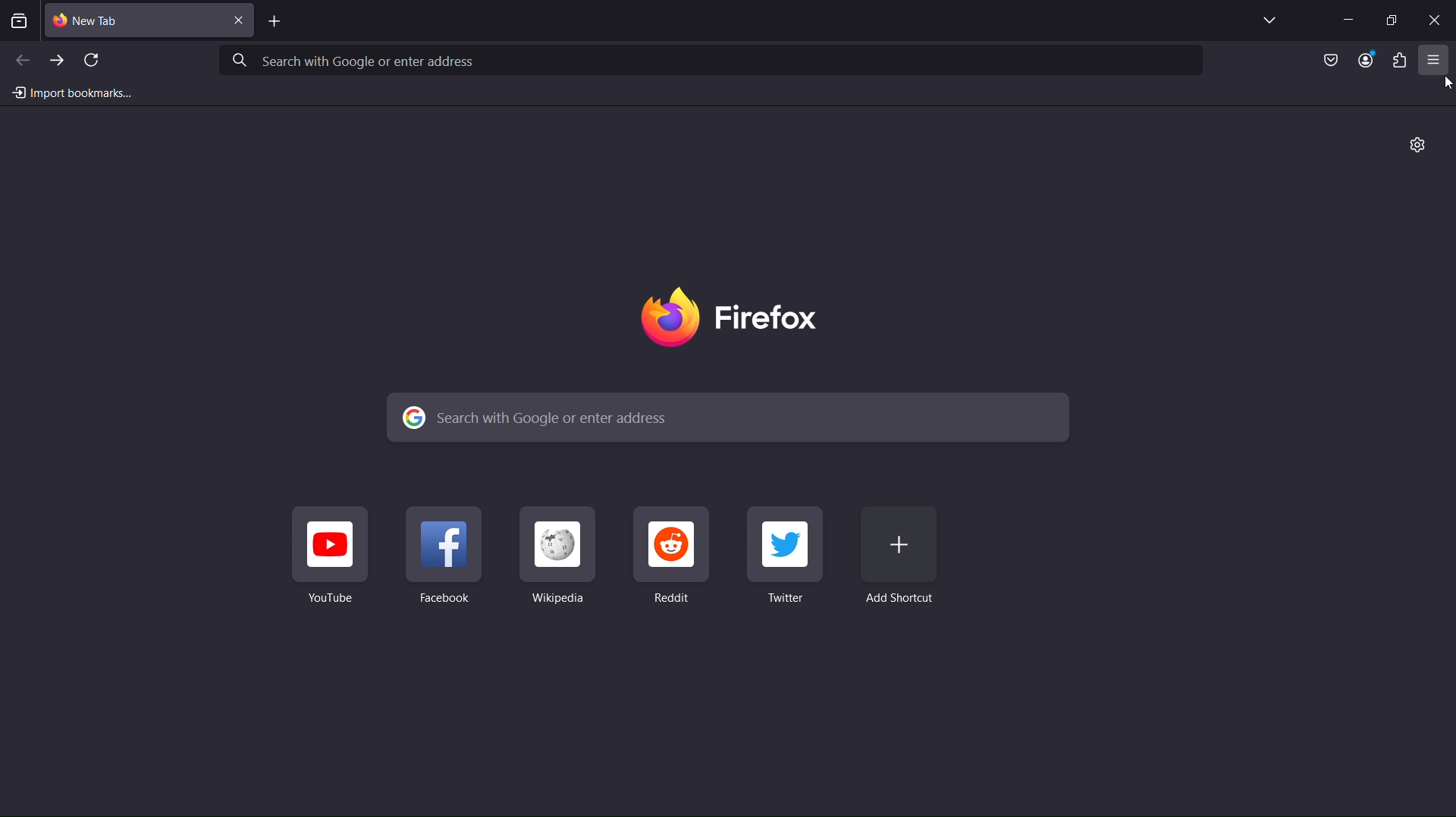 The width and height of the screenshot is (1456, 817). I want to click on Add Shortcut, so click(908, 556).